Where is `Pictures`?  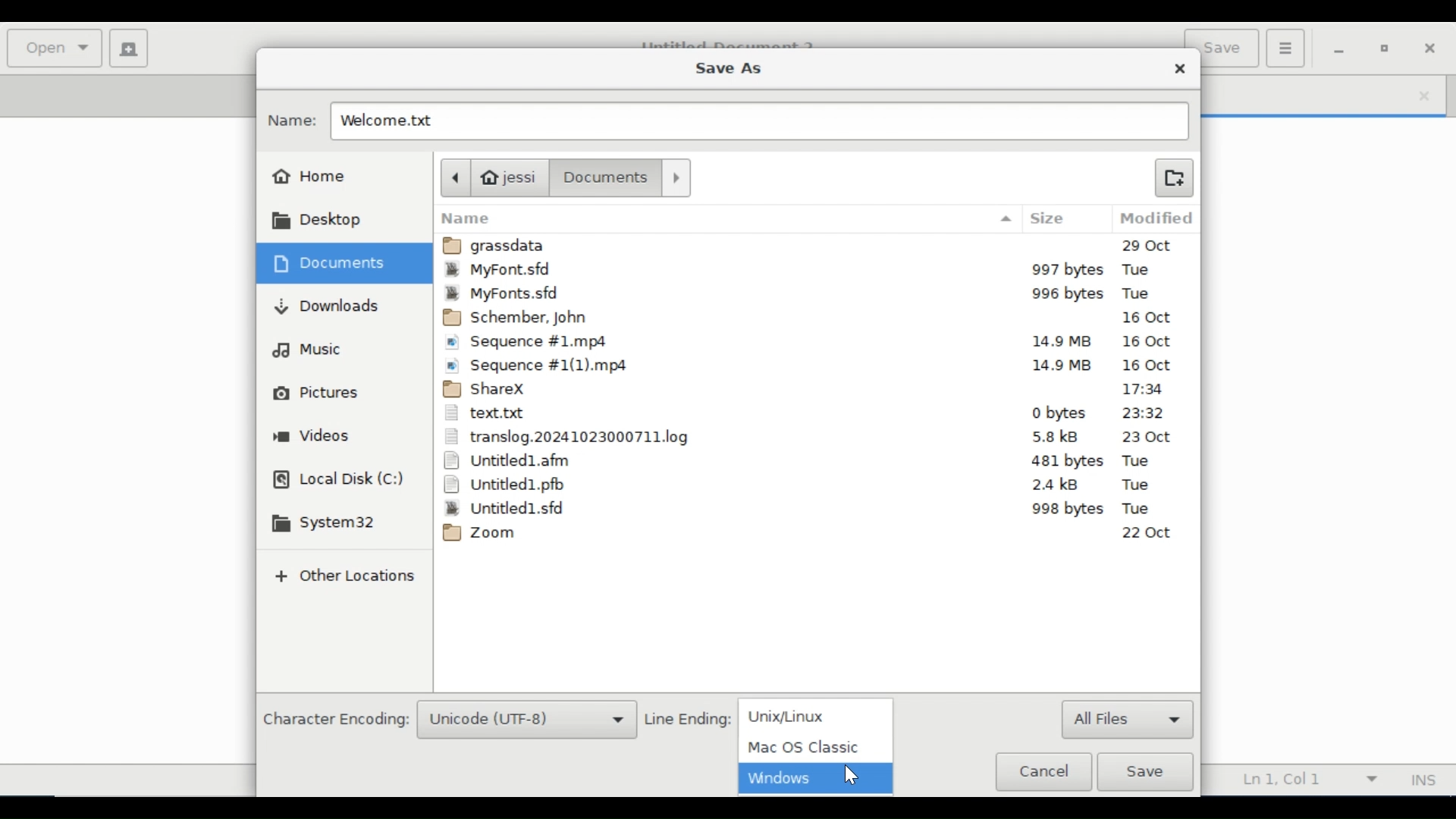
Pictures is located at coordinates (312, 392).